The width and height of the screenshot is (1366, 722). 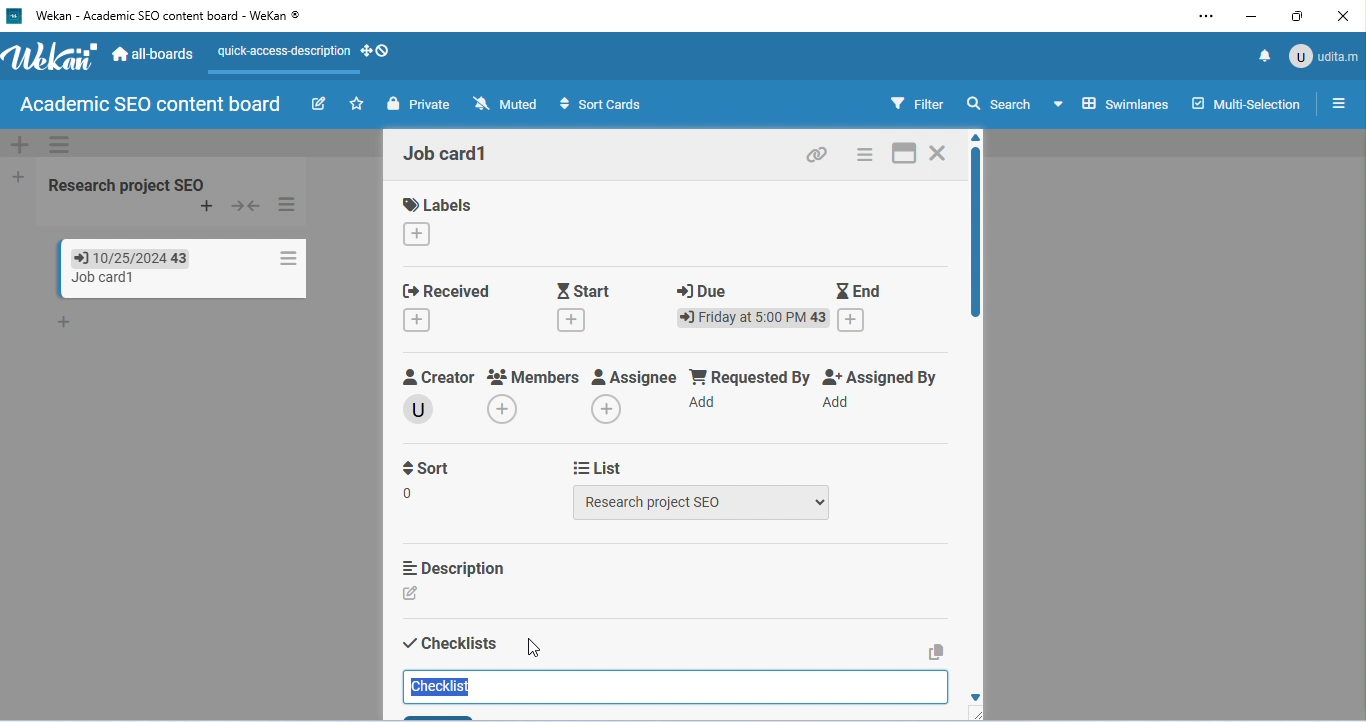 What do you see at coordinates (1324, 54) in the screenshot?
I see `admin` at bounding box center [1324, 54].